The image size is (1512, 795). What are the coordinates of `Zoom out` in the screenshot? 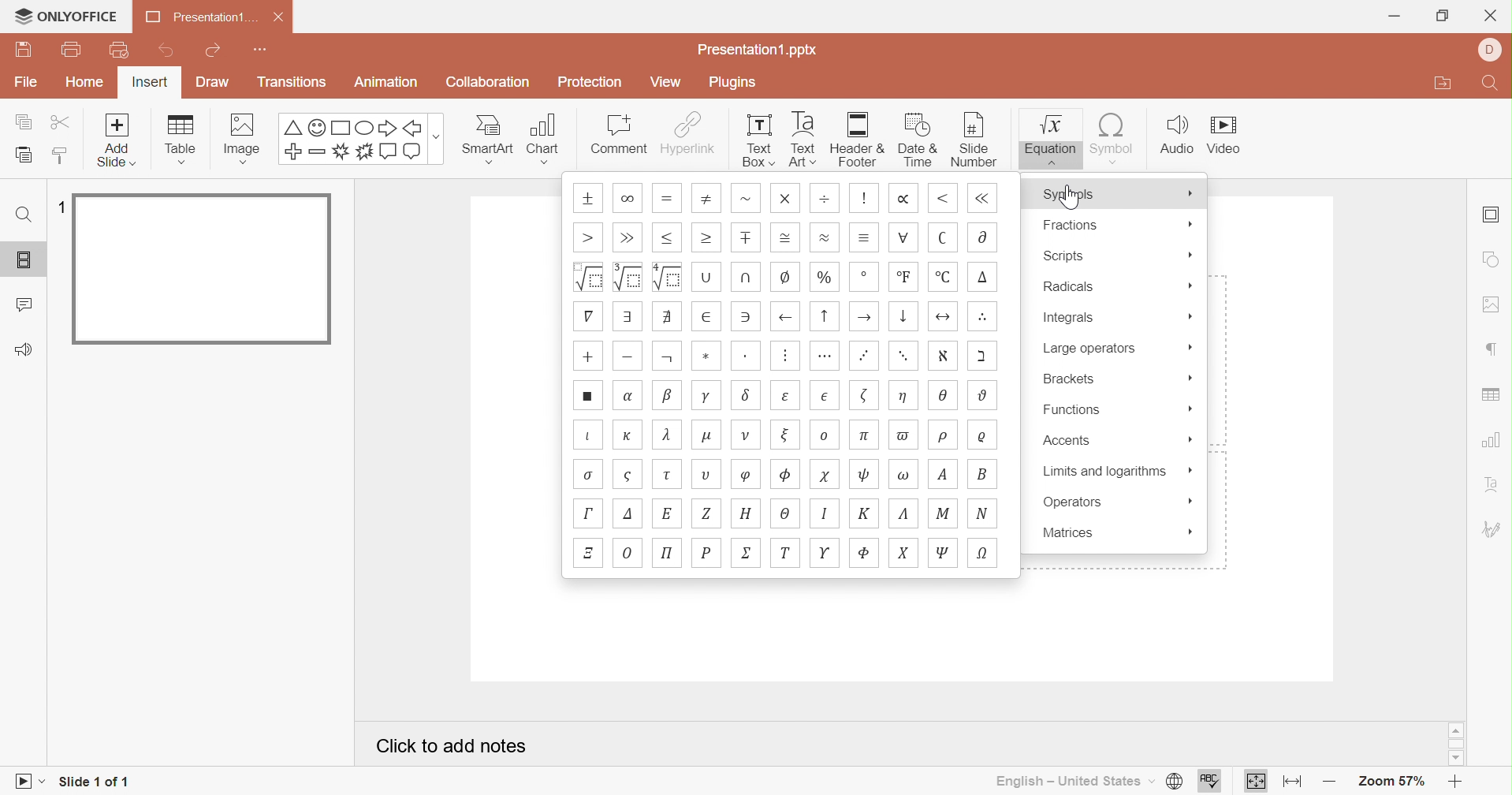 It's located at (1329, 778).